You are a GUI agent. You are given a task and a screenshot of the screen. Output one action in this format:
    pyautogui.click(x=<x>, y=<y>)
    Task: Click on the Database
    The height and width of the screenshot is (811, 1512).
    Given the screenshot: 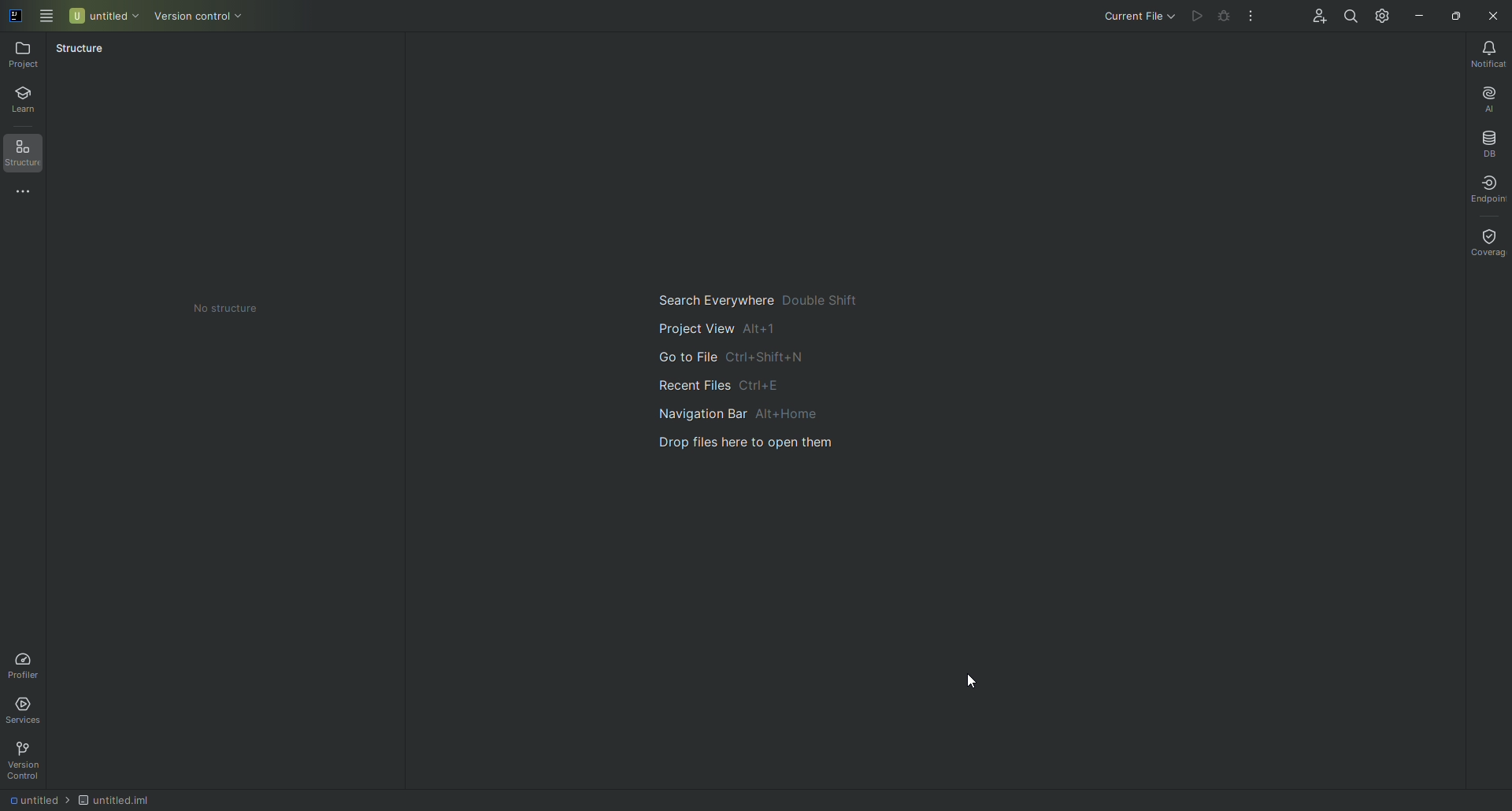 What is the action you would take?
    pyautogui.click(x=1488, y=141)
    